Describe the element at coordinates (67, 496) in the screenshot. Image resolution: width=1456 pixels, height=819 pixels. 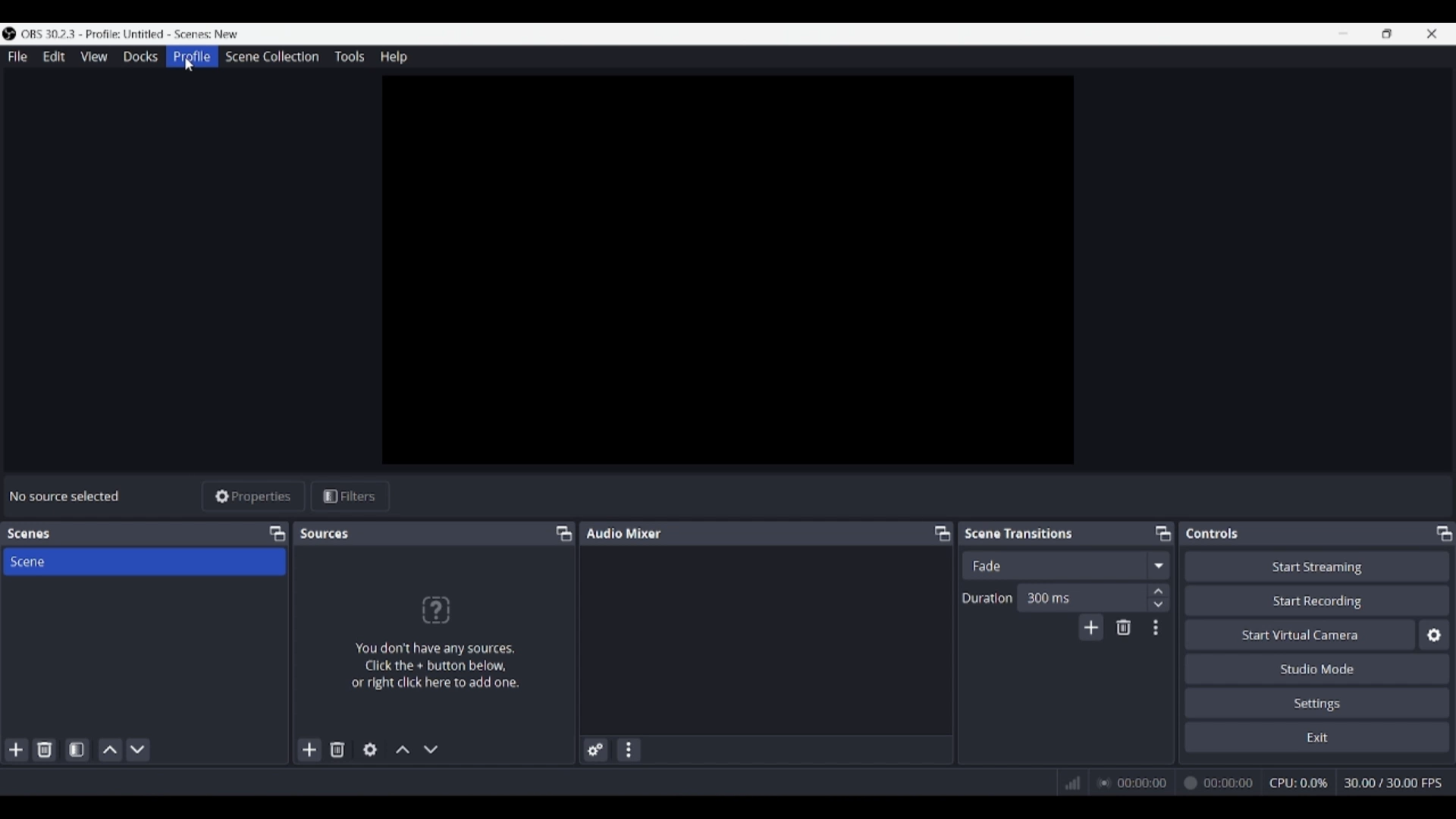
I see `Source status` at that location.